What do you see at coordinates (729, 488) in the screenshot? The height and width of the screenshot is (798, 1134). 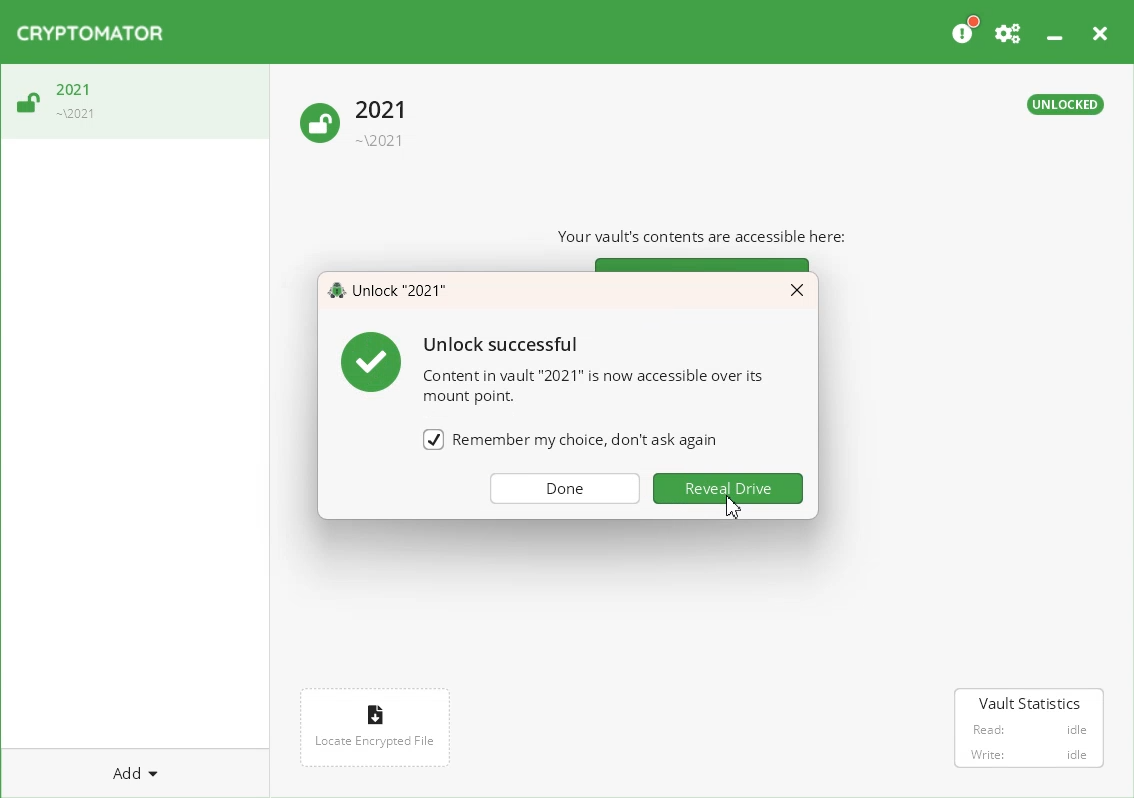 I see `Reveal Drive` at bounding box center [729, 488].